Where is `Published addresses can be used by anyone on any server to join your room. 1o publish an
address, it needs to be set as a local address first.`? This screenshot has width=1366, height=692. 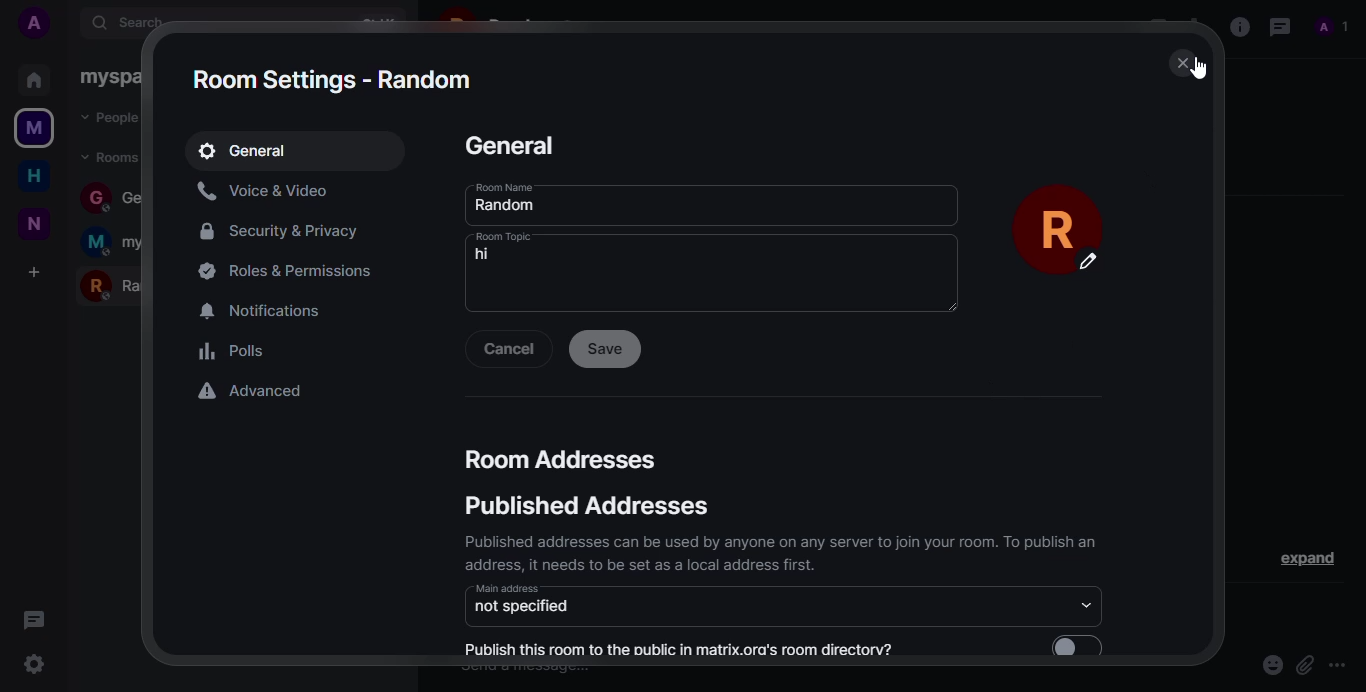 Published addresses can be used by anyone on any server to join your room. 1o publish an
address, it needs to be set as a local address first. is located at coordinates (772, 557).